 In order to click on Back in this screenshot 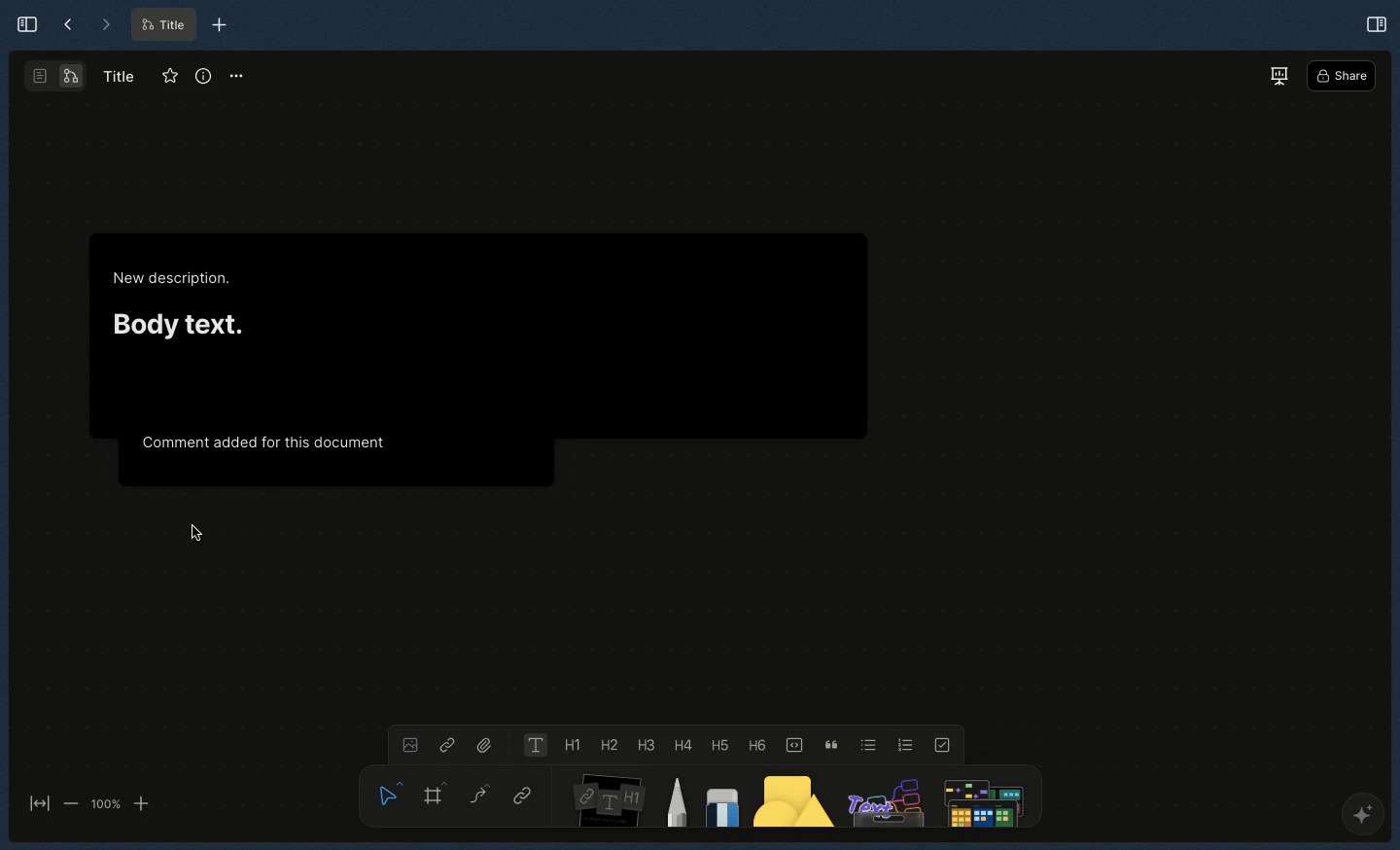, I will do `click(68, 25)`.